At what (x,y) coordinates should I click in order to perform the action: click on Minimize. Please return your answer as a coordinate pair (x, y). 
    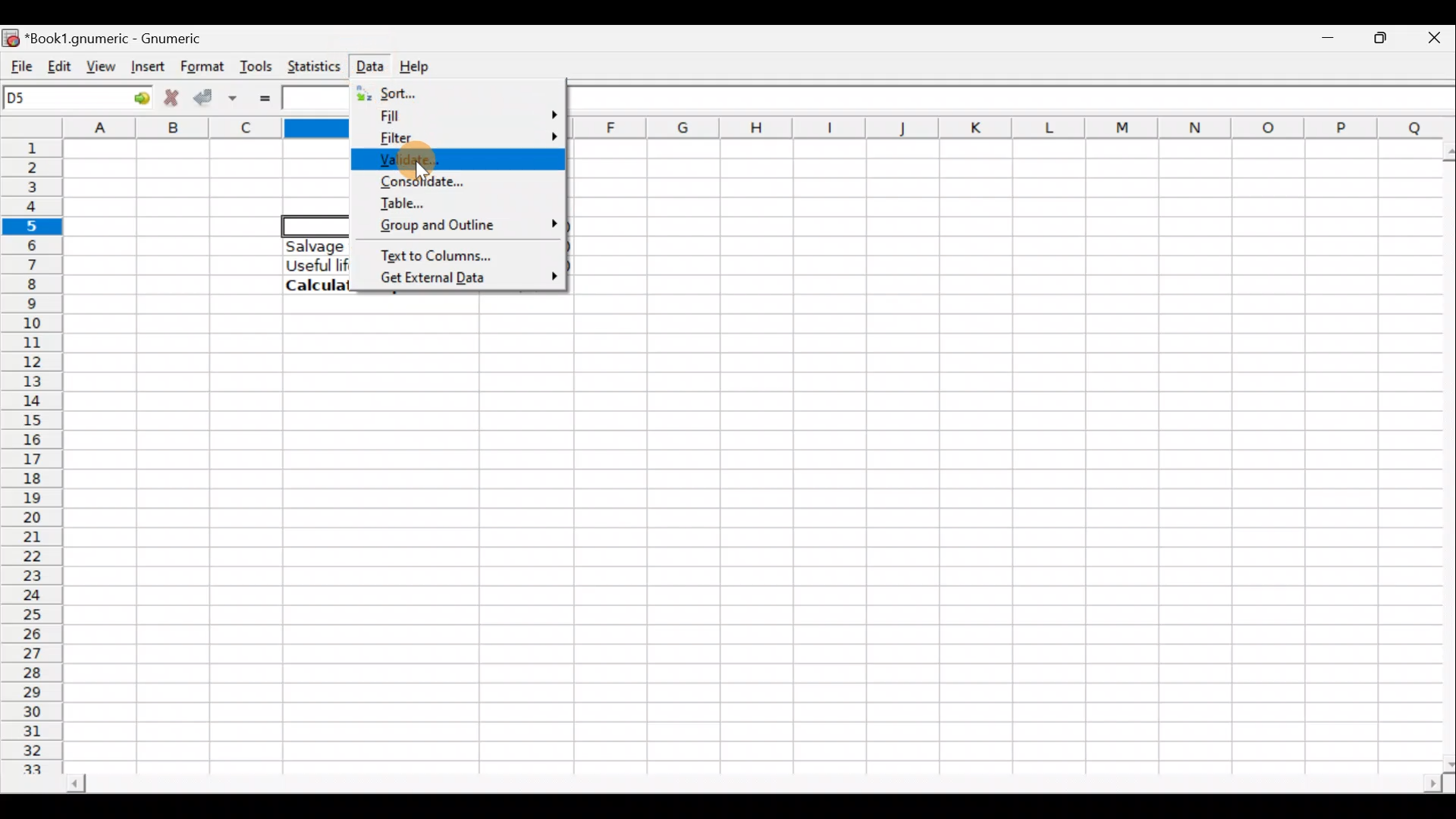
    Looking at the image, I should click on (1332, 34).